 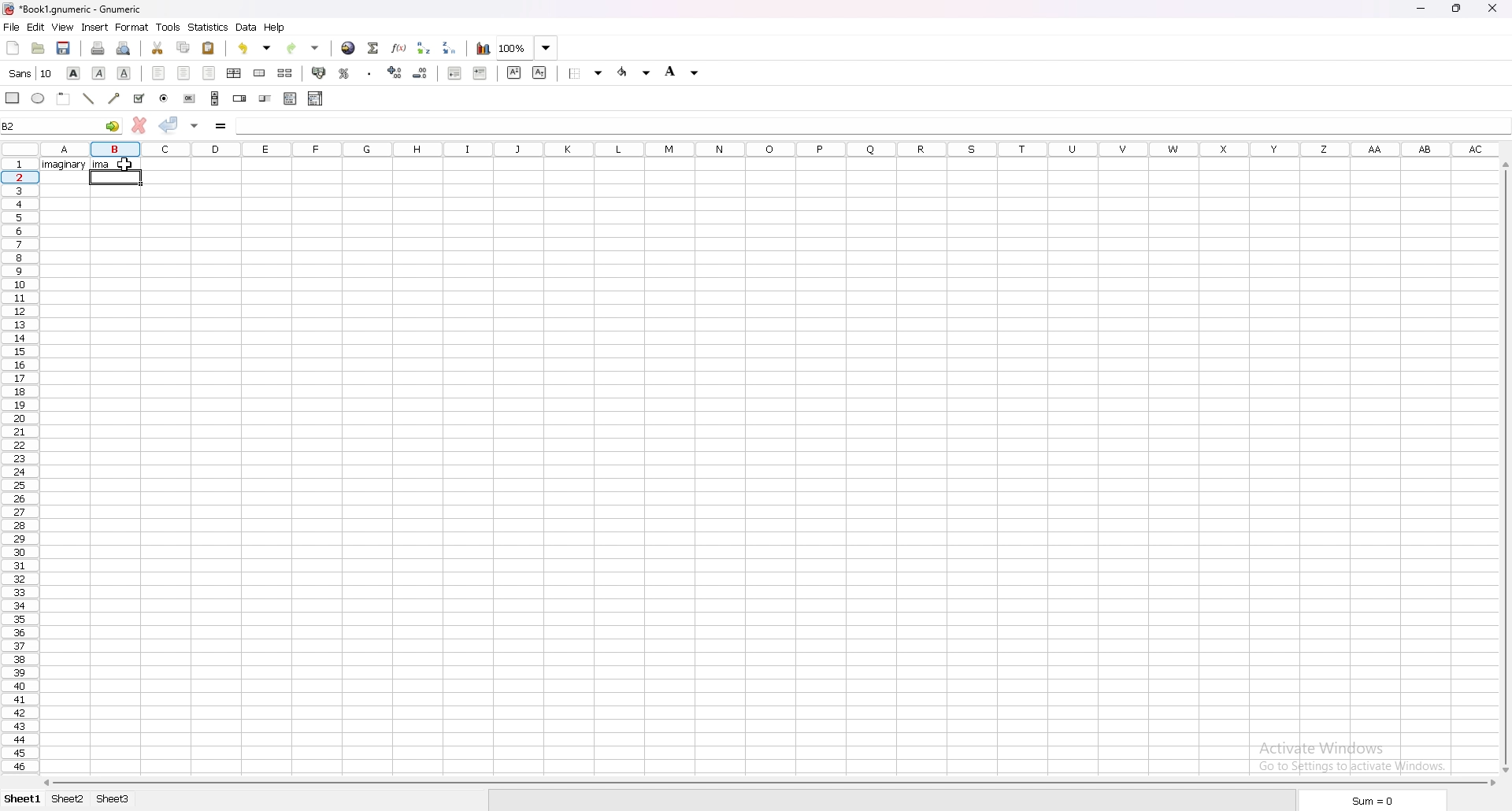 I want to click on sort descending, so click(x=450, y=48).